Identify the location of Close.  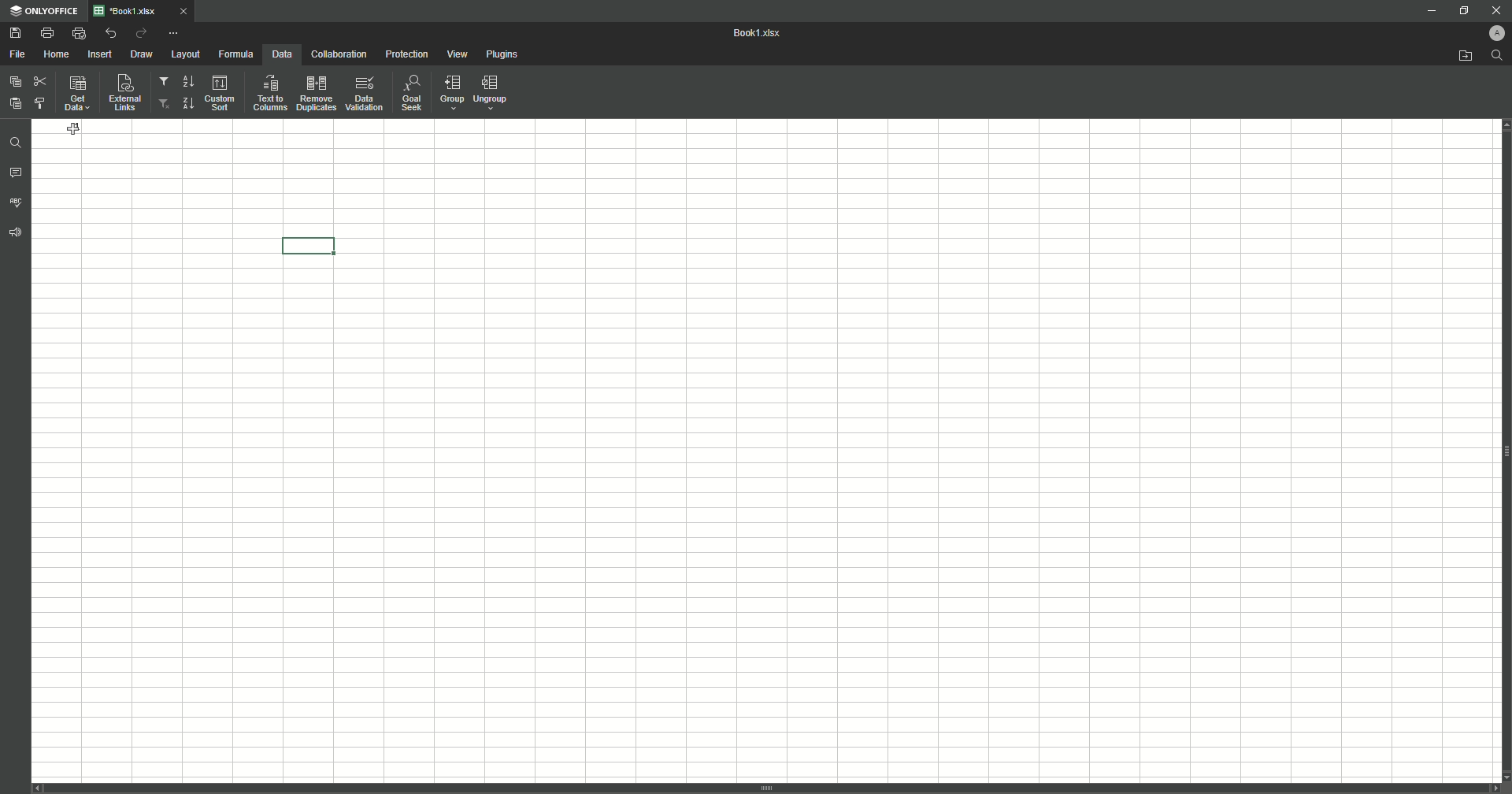
(1491, 9).